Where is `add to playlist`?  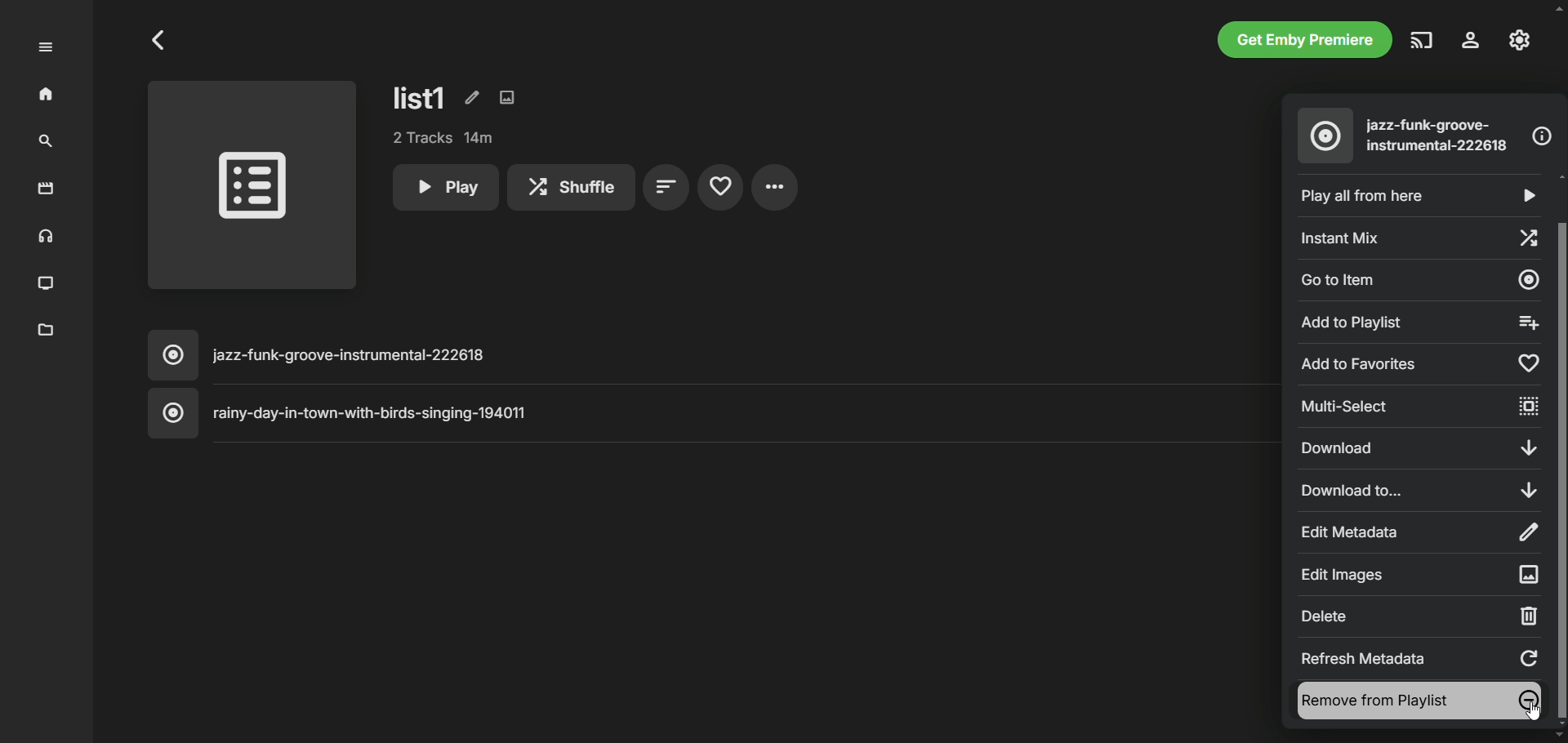
add to playlist is located at coordinates (1415, 322).